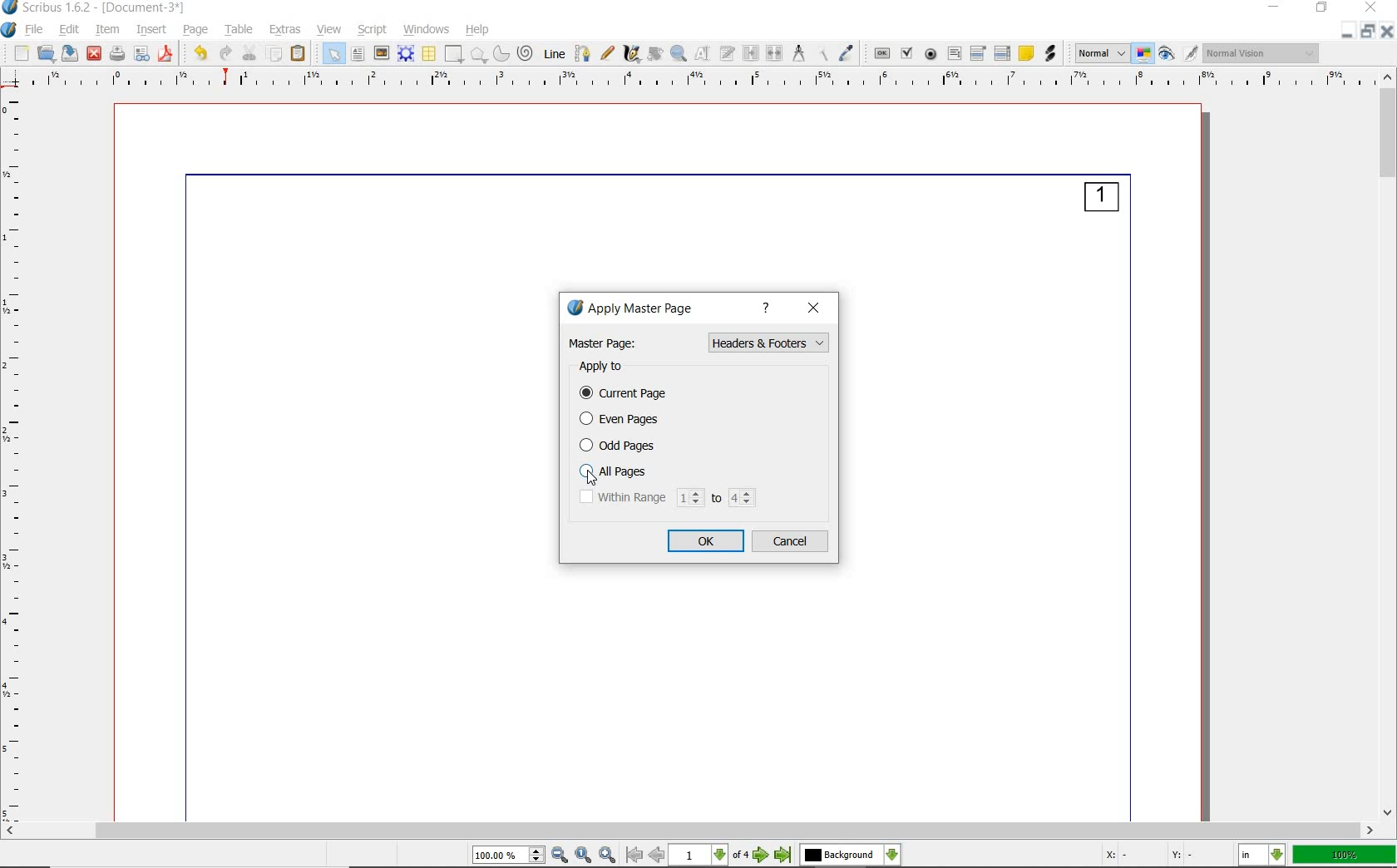 The image size is (1397, 868). I want to click on select the current layer, so click(851, 856).